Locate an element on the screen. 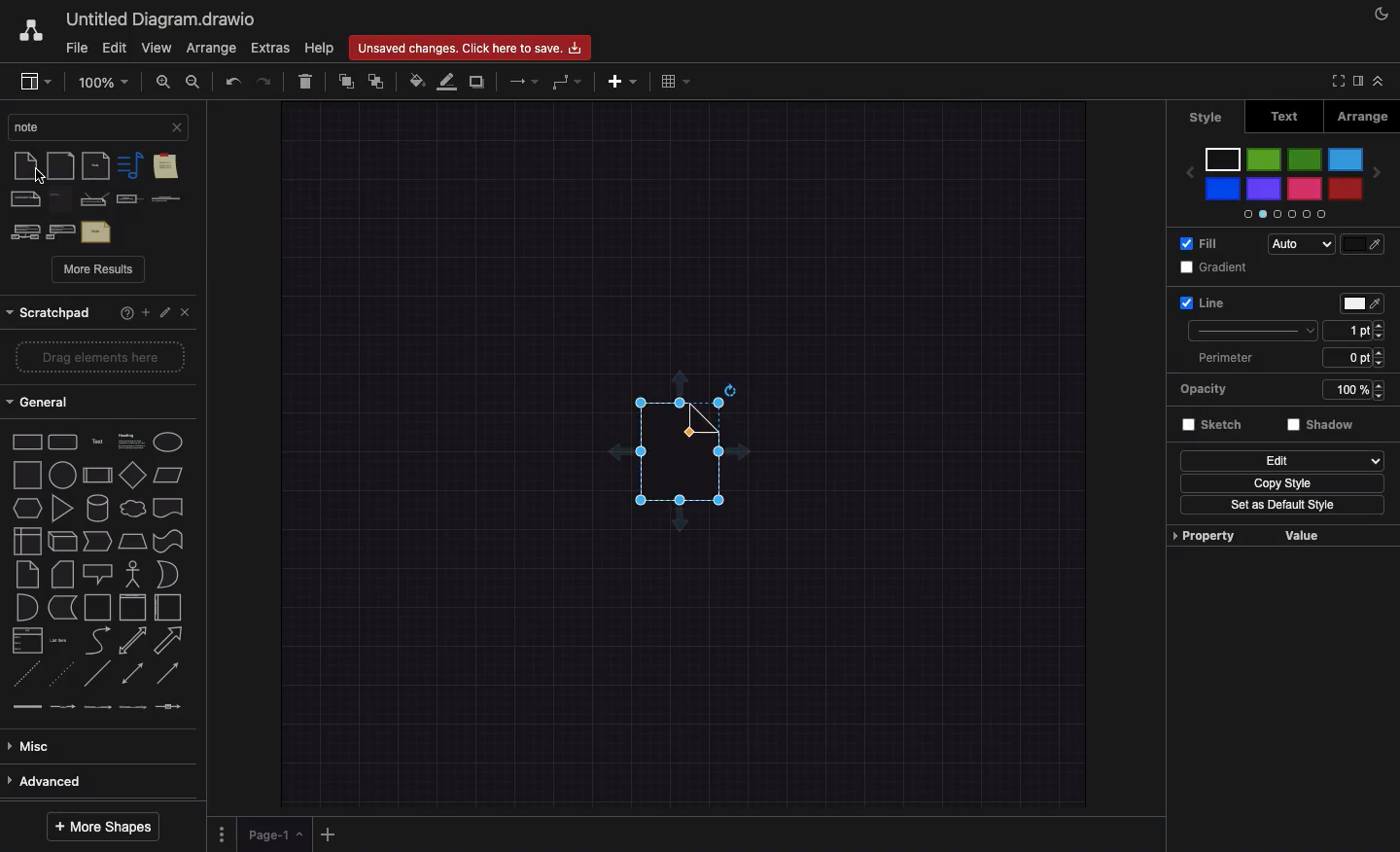 This screenshot has height=852, width=1400. Duplicate is located at coordinates (476, 82).